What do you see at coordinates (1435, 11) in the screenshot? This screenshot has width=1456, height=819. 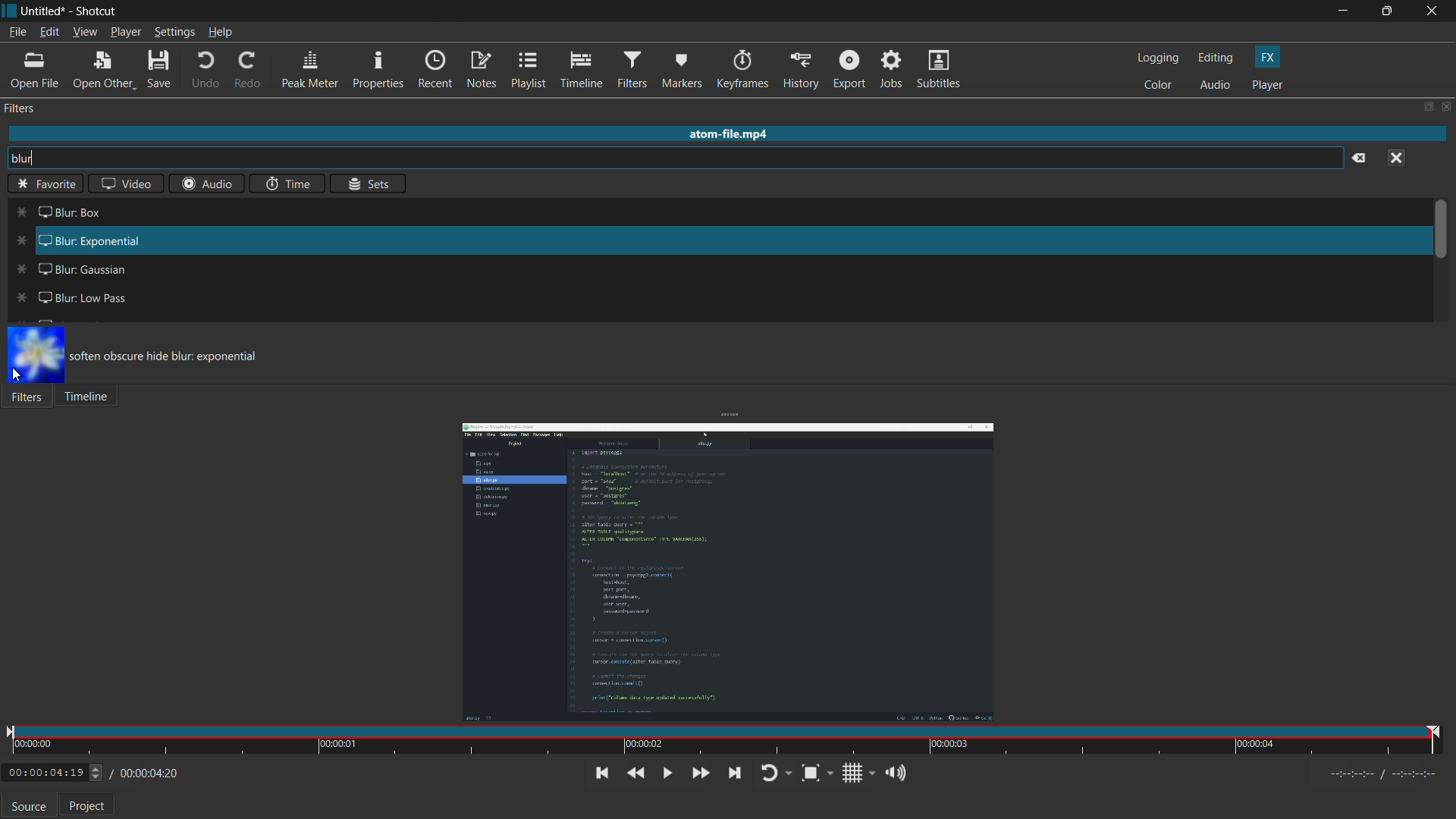 I see `close app` at bounding box center [1435, 11].